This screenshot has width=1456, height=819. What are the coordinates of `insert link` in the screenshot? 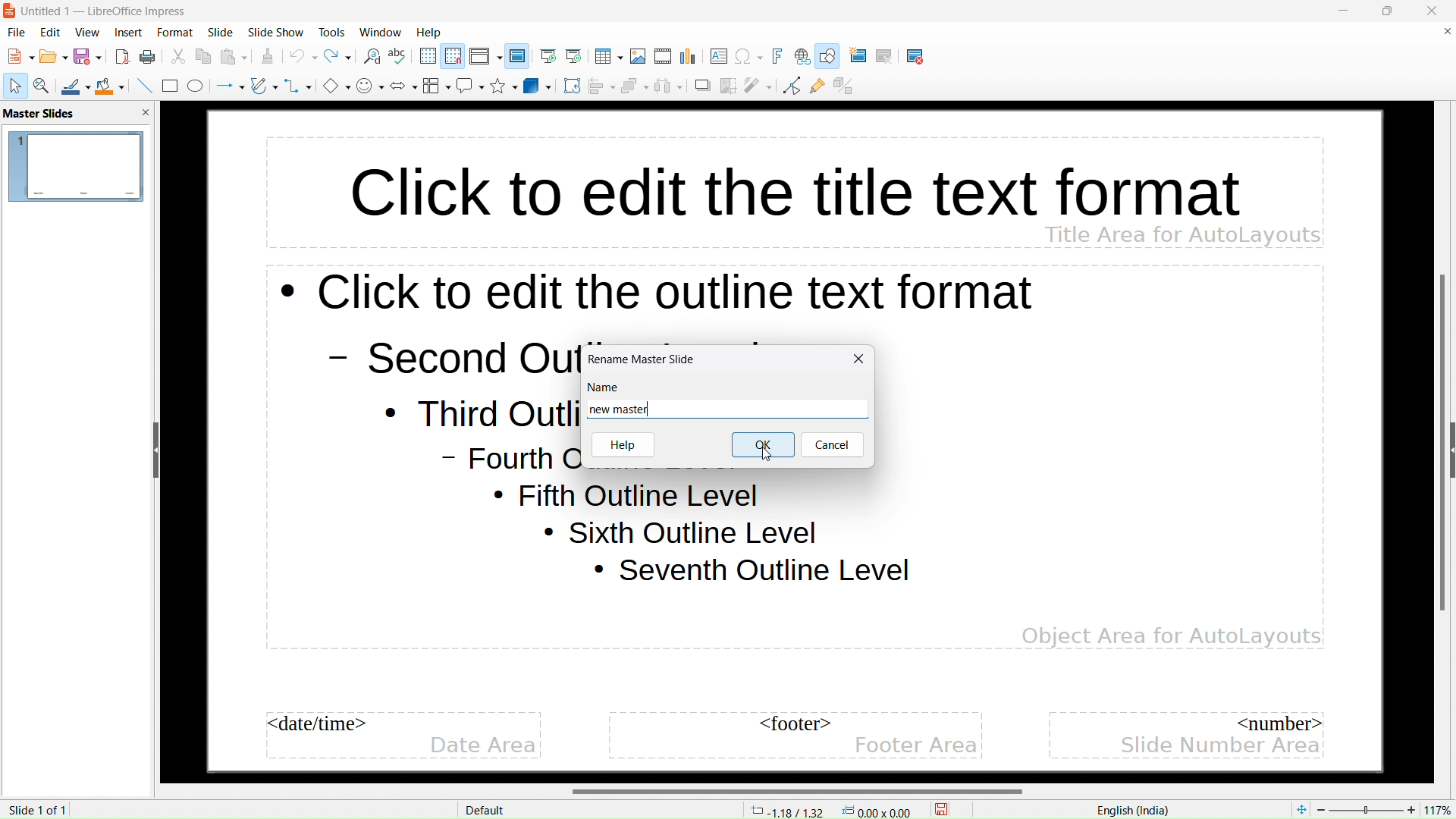 It's located at (802, 57).